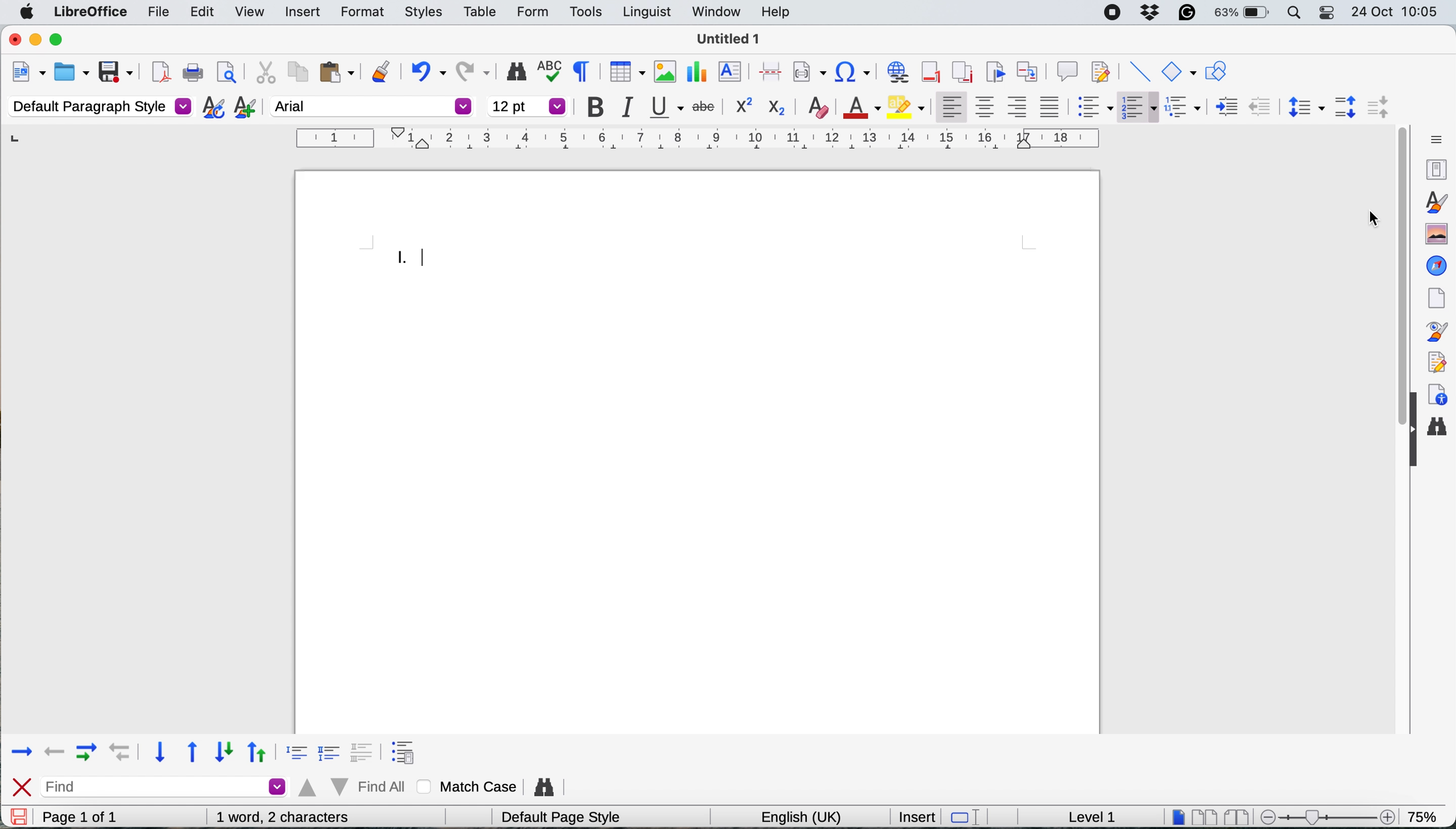  Describe the element at coordinates (741, 105) in the screenshot. I see `superscript` at that location.